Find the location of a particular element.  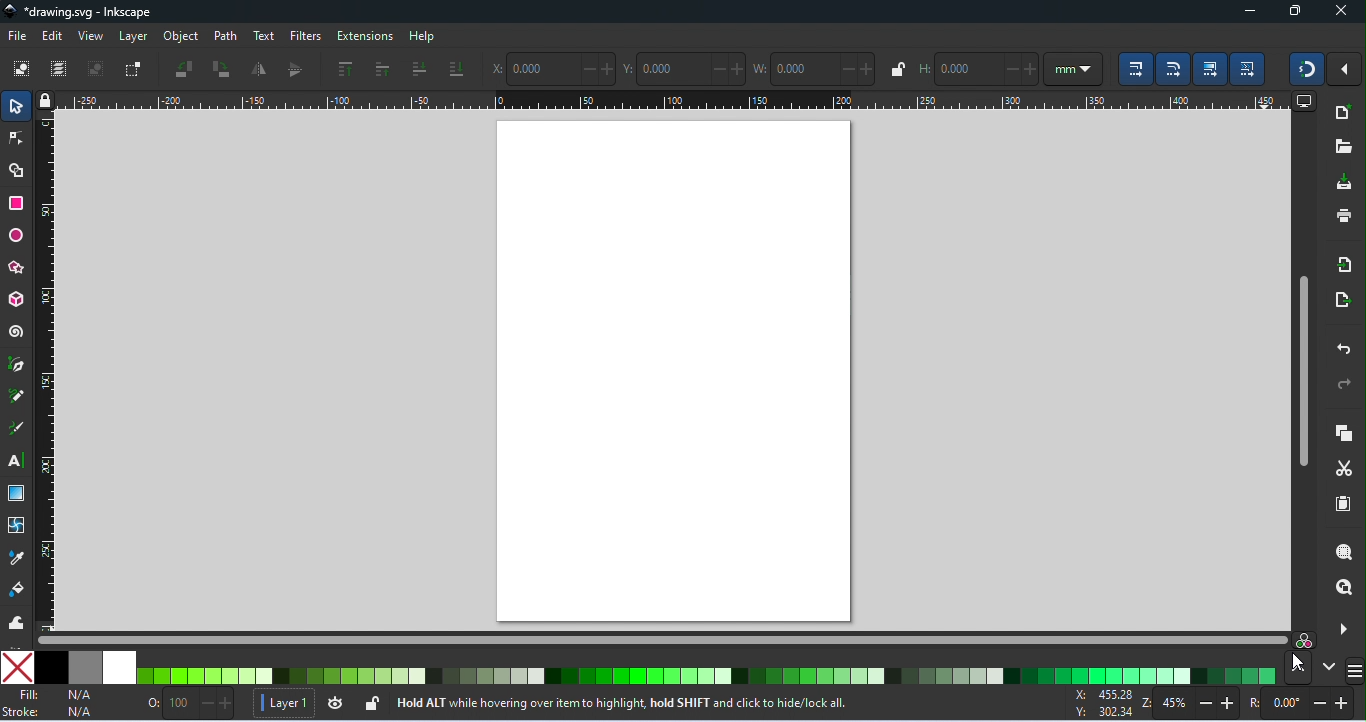

select is located at coordinates (16, 104).